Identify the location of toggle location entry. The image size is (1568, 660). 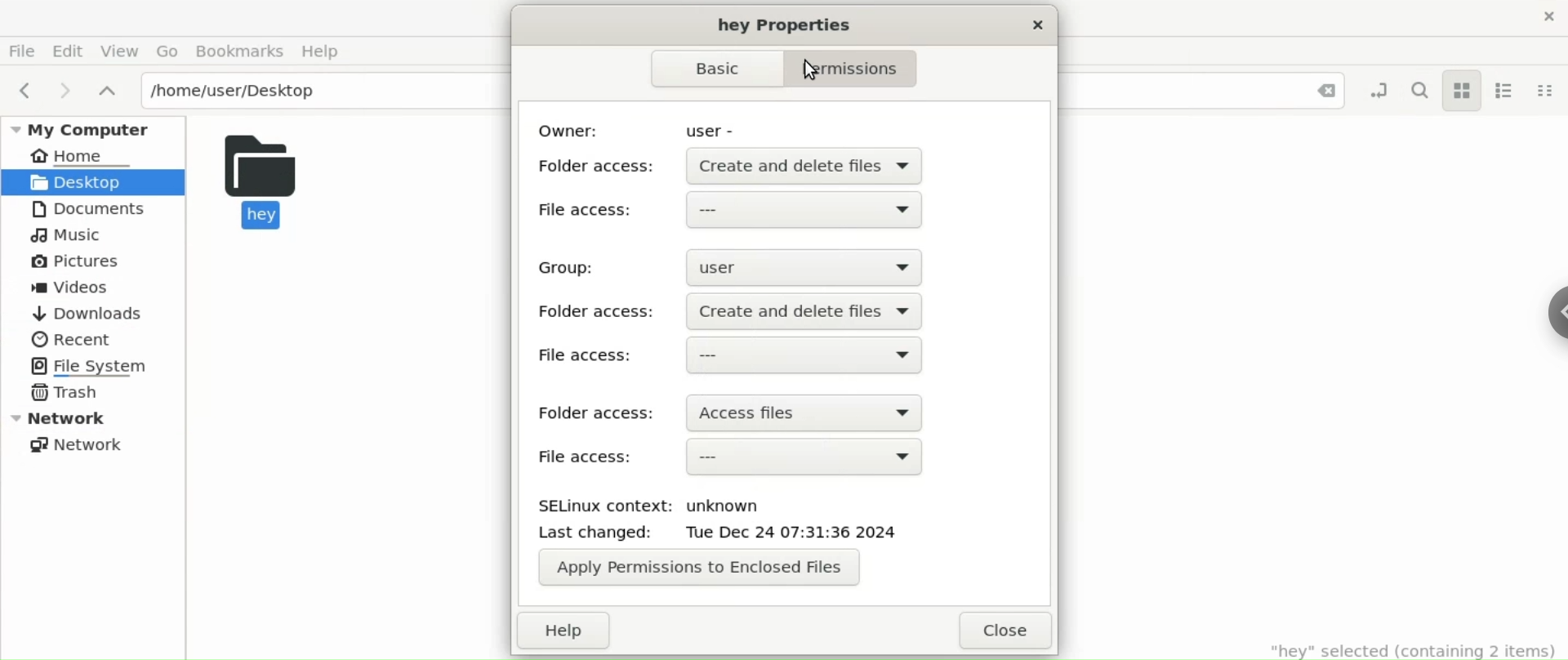
(1374, 91).